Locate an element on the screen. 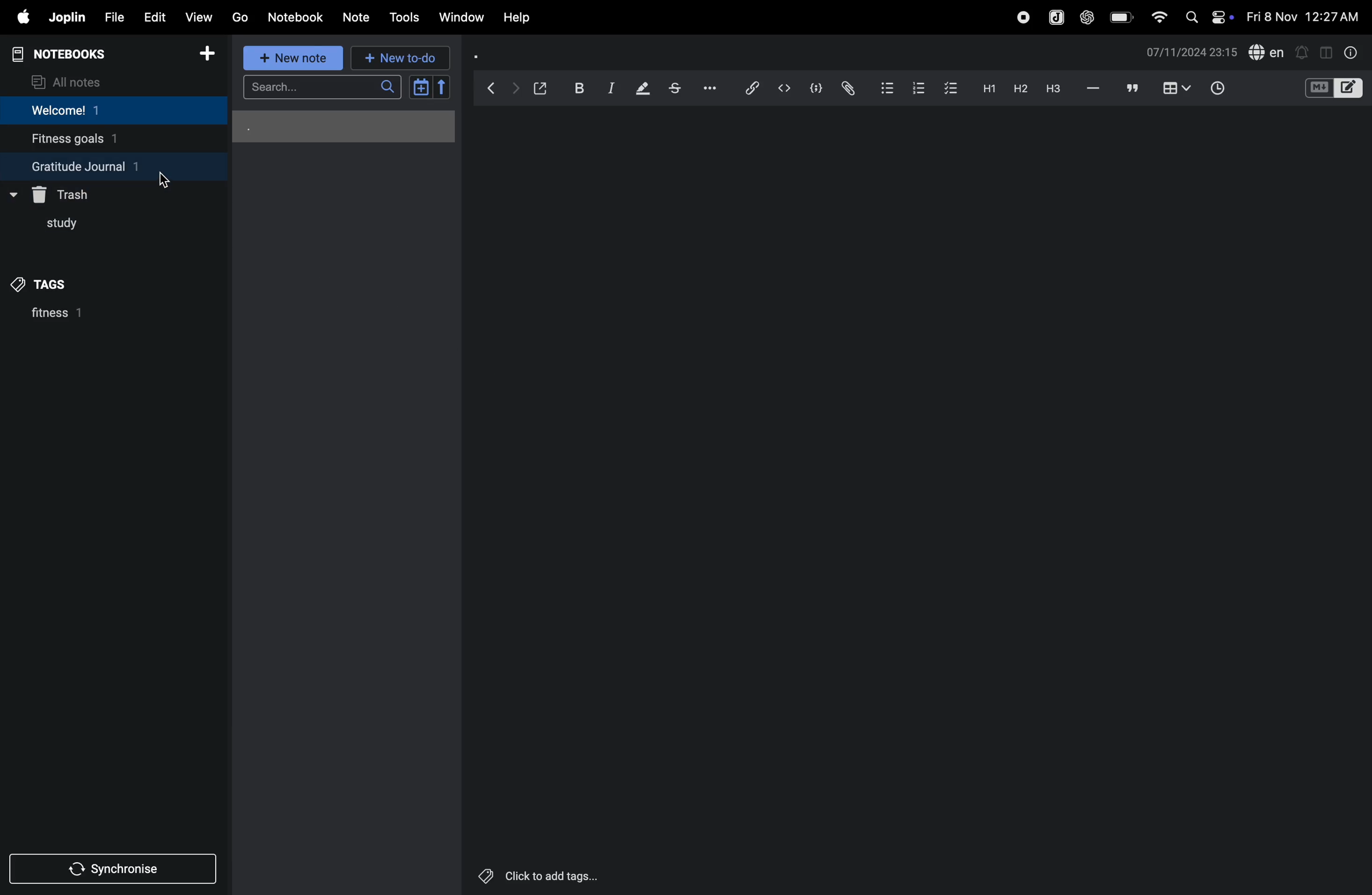 This screenshot has height=895, width=1372. battery is located at coordinates (1118, 17).